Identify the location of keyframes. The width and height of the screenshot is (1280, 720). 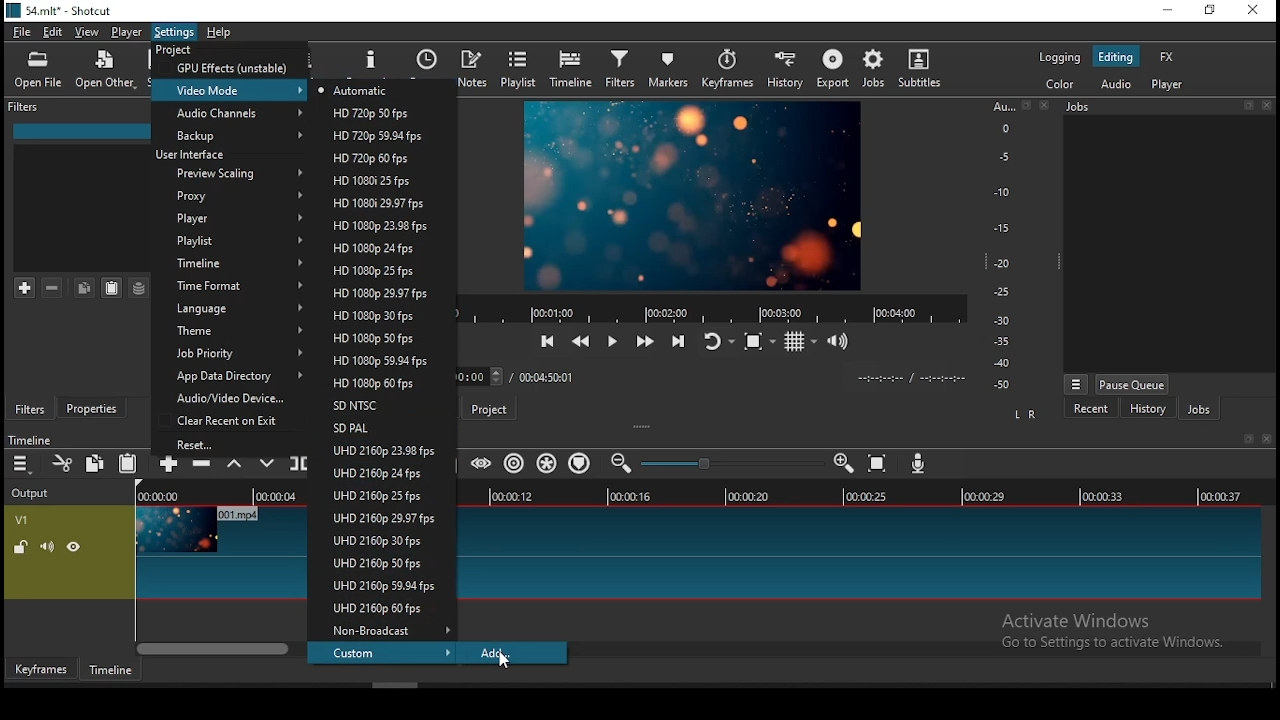
(727, 72).